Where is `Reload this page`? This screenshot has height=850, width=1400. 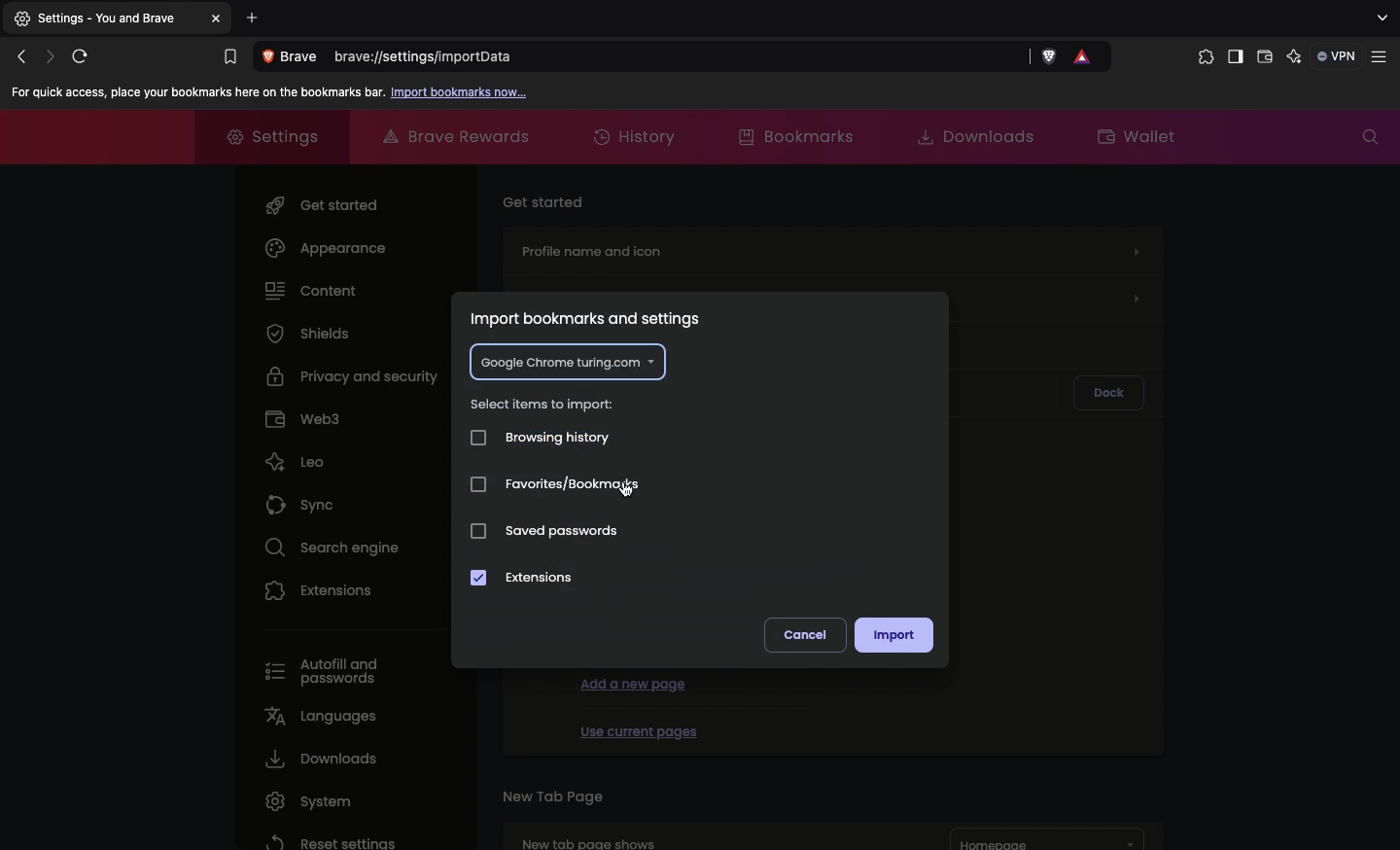
Reload this page is located at coordinates (85, 55).